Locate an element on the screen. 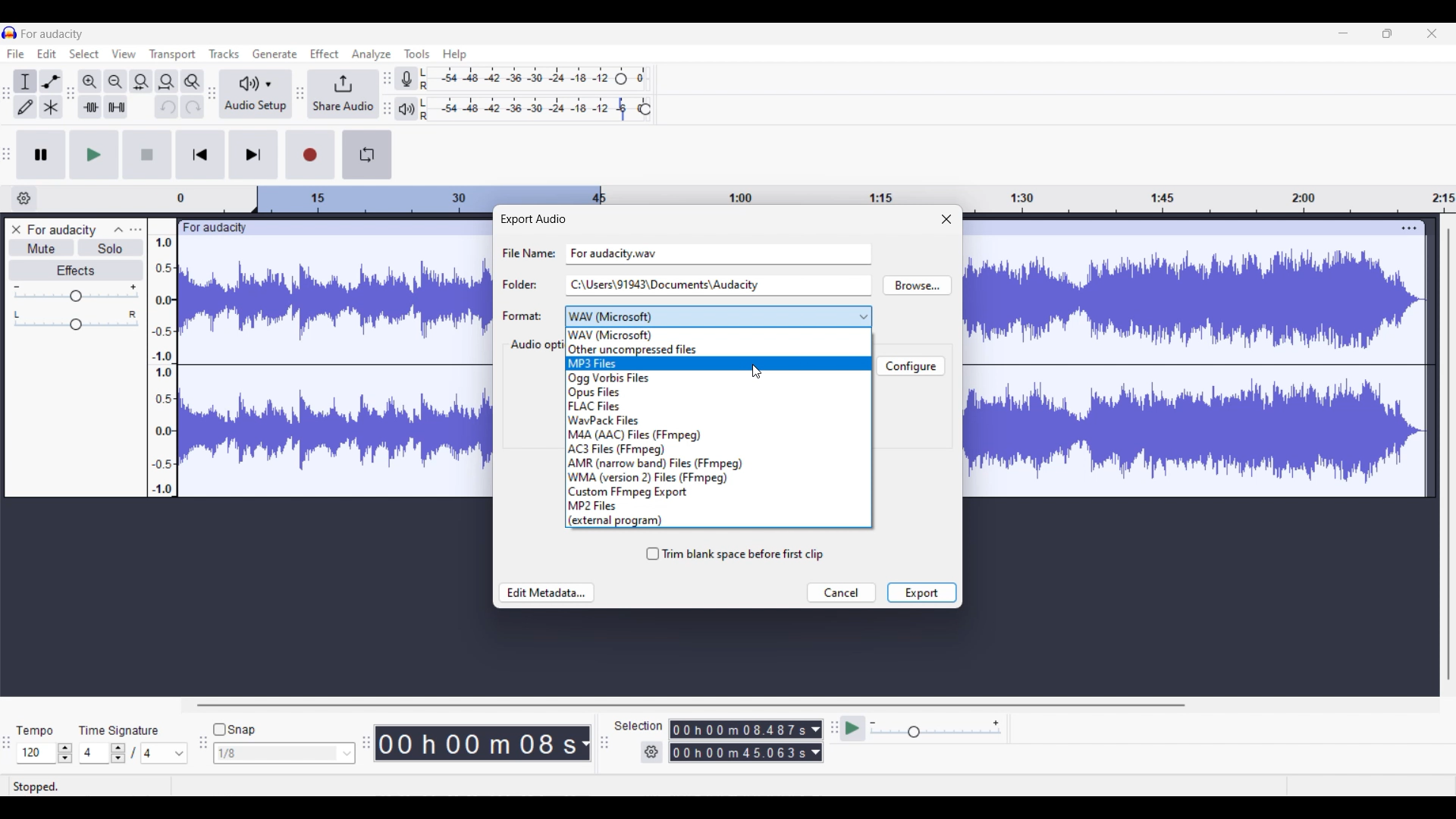 This screenshot has width=1456, height=819. Scale to measure length of track is located at coordinates (815, 193).